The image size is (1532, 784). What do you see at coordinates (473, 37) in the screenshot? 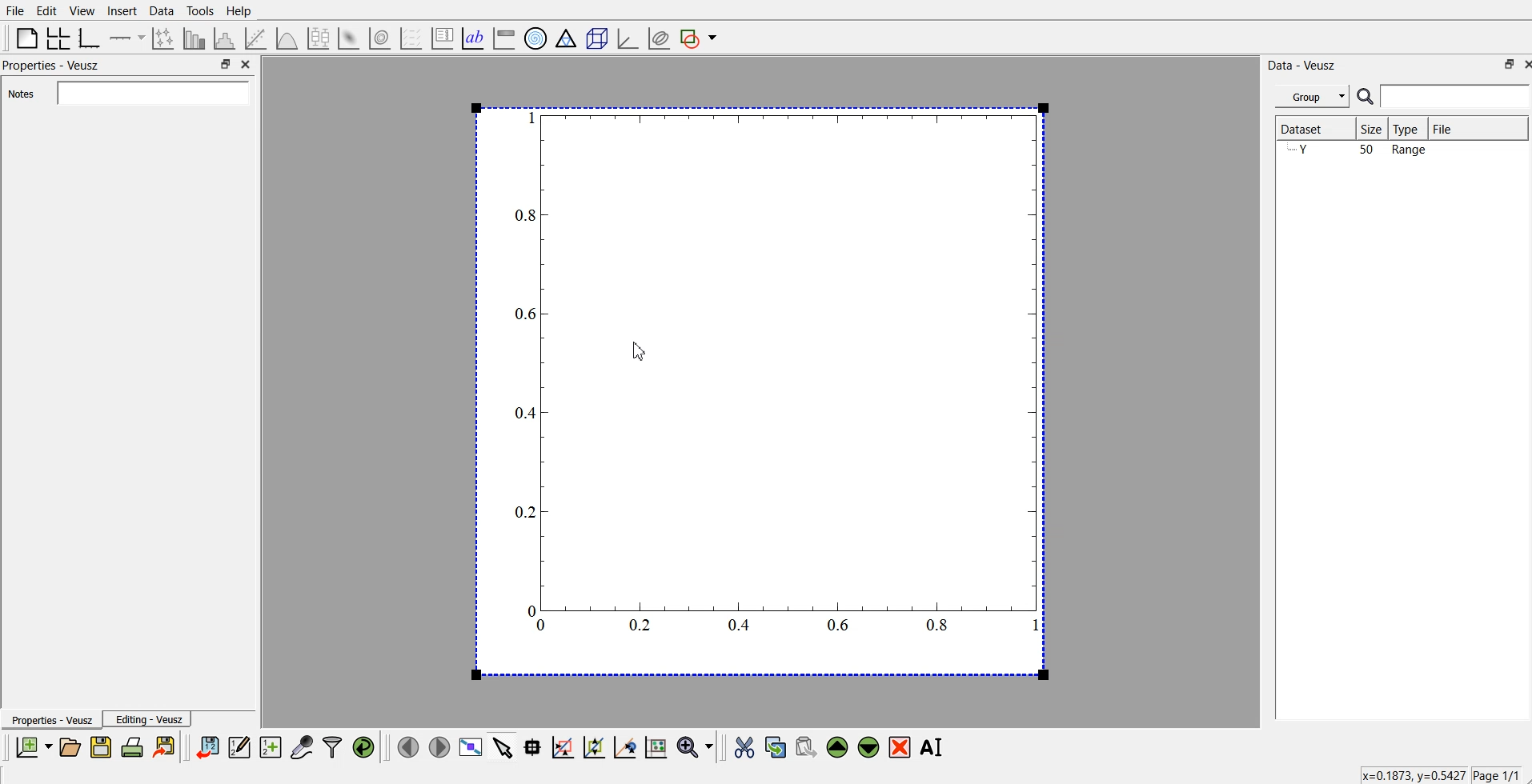
I see `text label` at bounding box center [473, 37].